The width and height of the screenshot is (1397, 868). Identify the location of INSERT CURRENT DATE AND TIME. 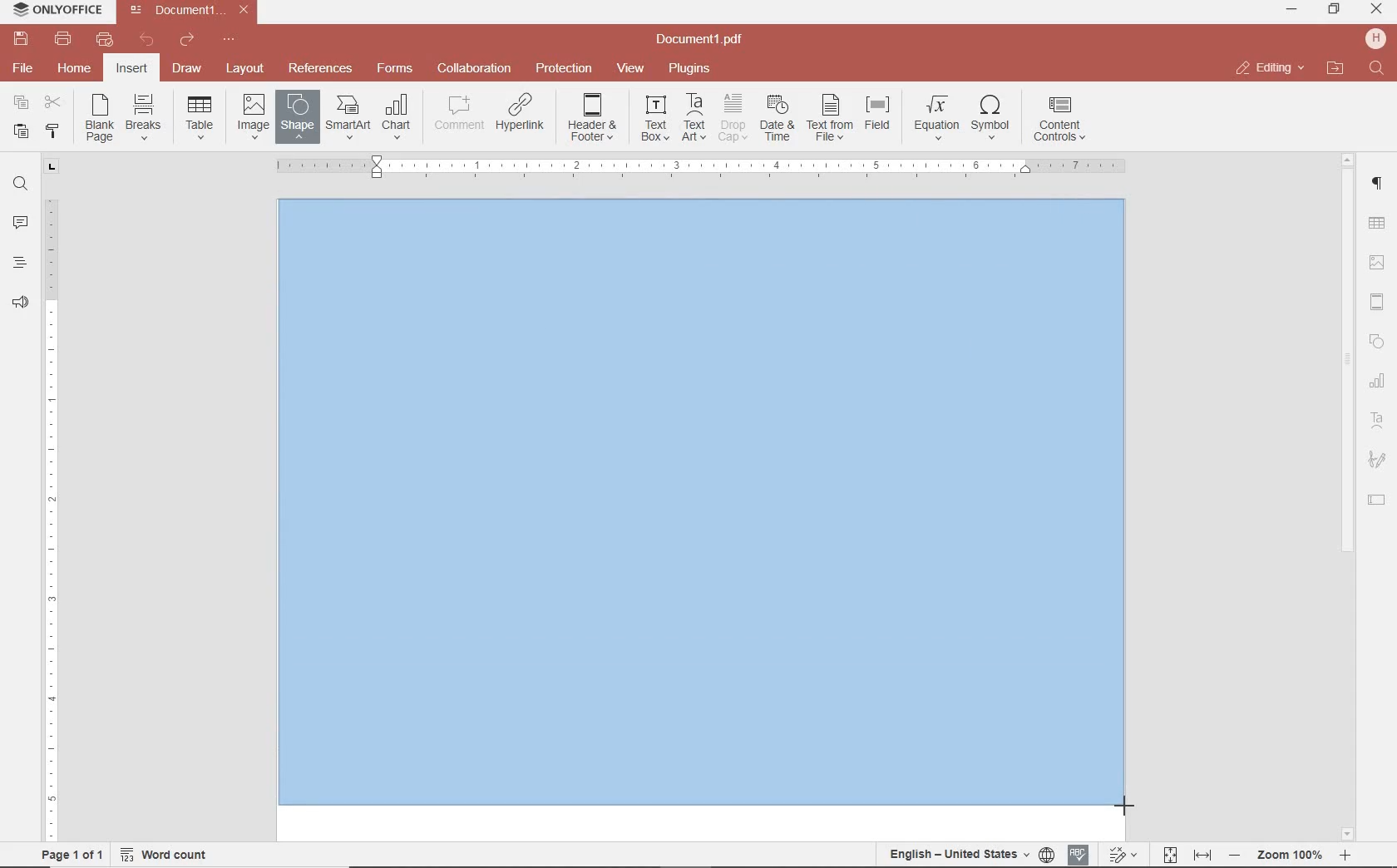
(775, 119).